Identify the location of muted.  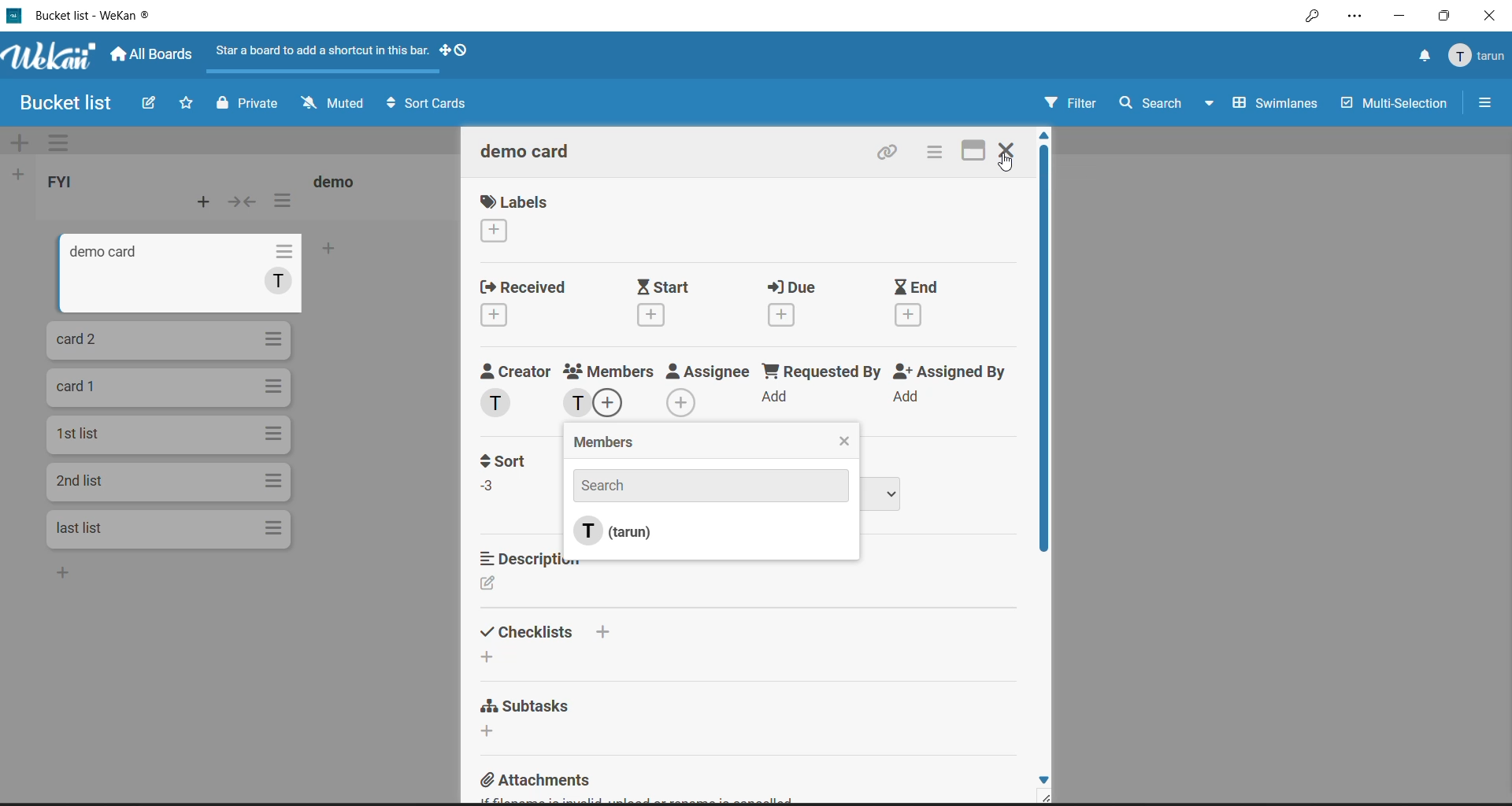
(335, 102).